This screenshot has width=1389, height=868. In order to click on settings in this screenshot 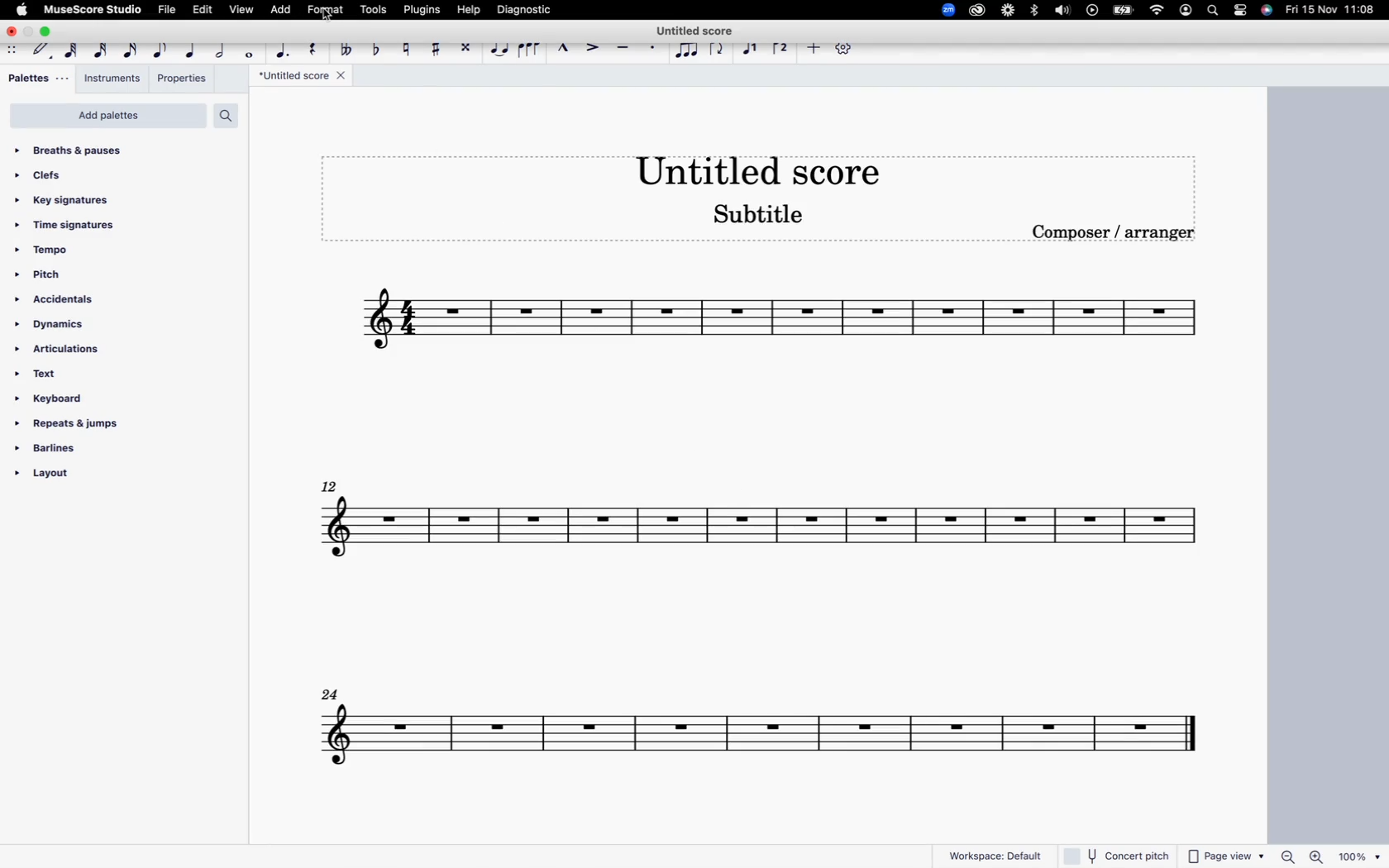, I will do `click(843, 51)`.